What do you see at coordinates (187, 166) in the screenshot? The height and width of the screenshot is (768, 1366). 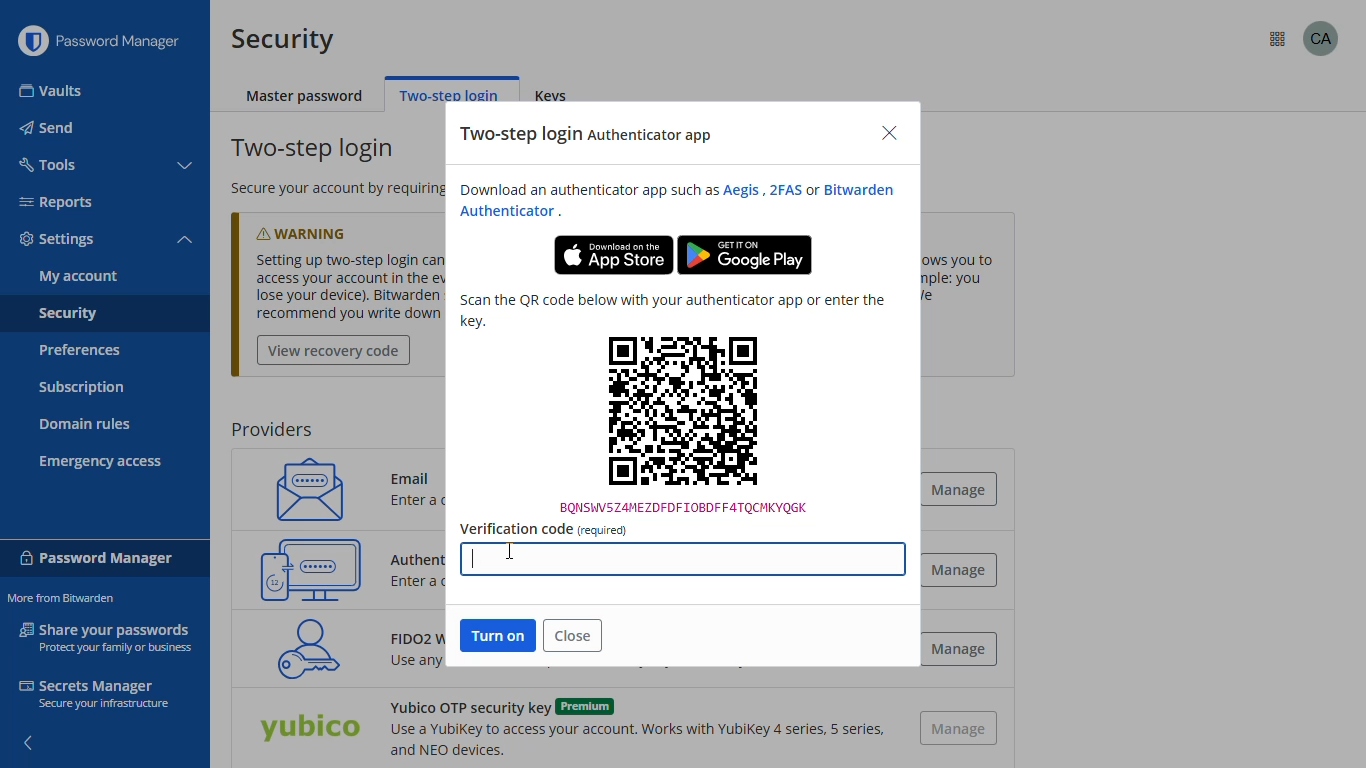 I see `toggle collapse` at bounding box center [187, 166].